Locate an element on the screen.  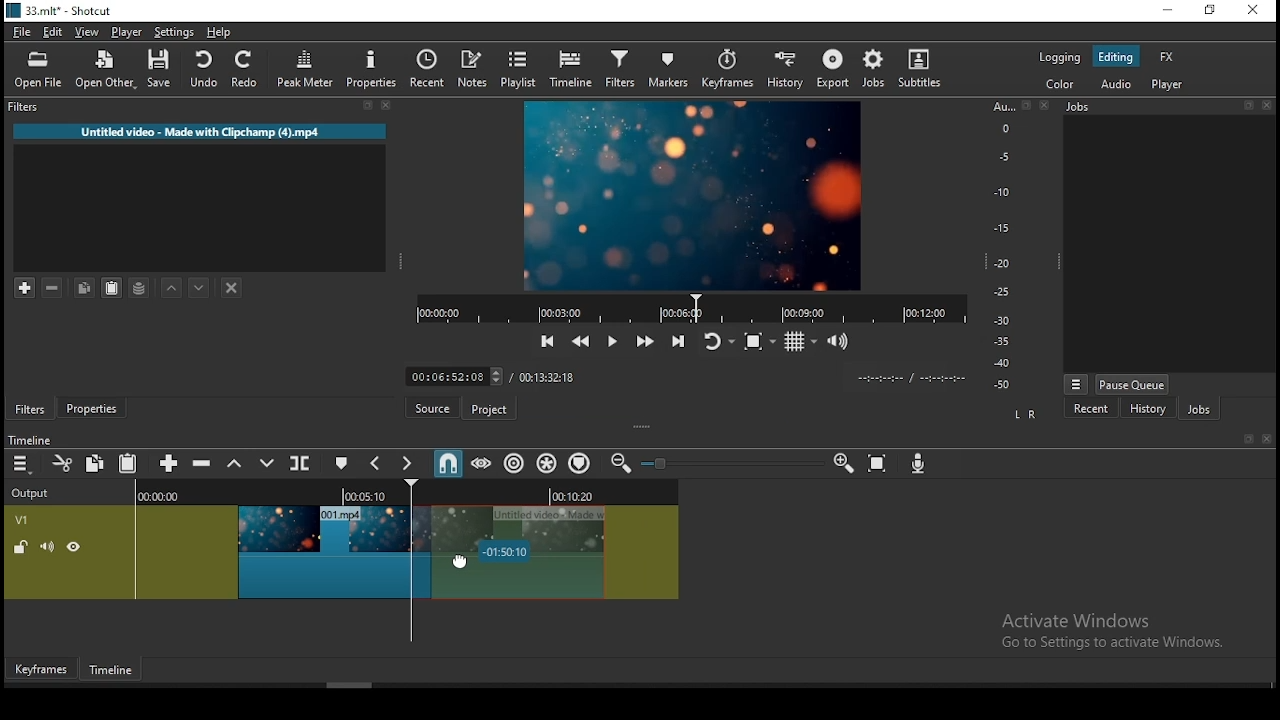
filters is located at coordinates (204, 109).